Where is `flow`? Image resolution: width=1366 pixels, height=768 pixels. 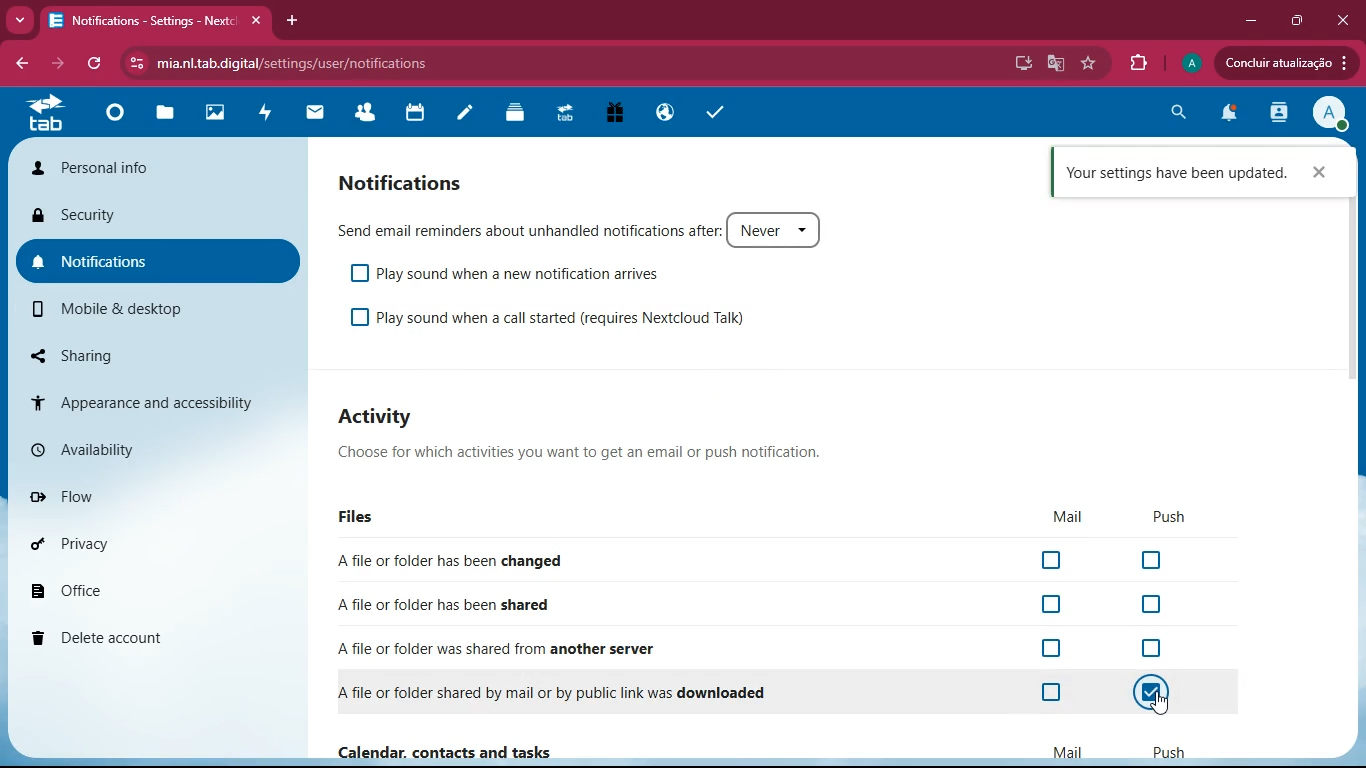 flow is located at coordinates (130, 494).